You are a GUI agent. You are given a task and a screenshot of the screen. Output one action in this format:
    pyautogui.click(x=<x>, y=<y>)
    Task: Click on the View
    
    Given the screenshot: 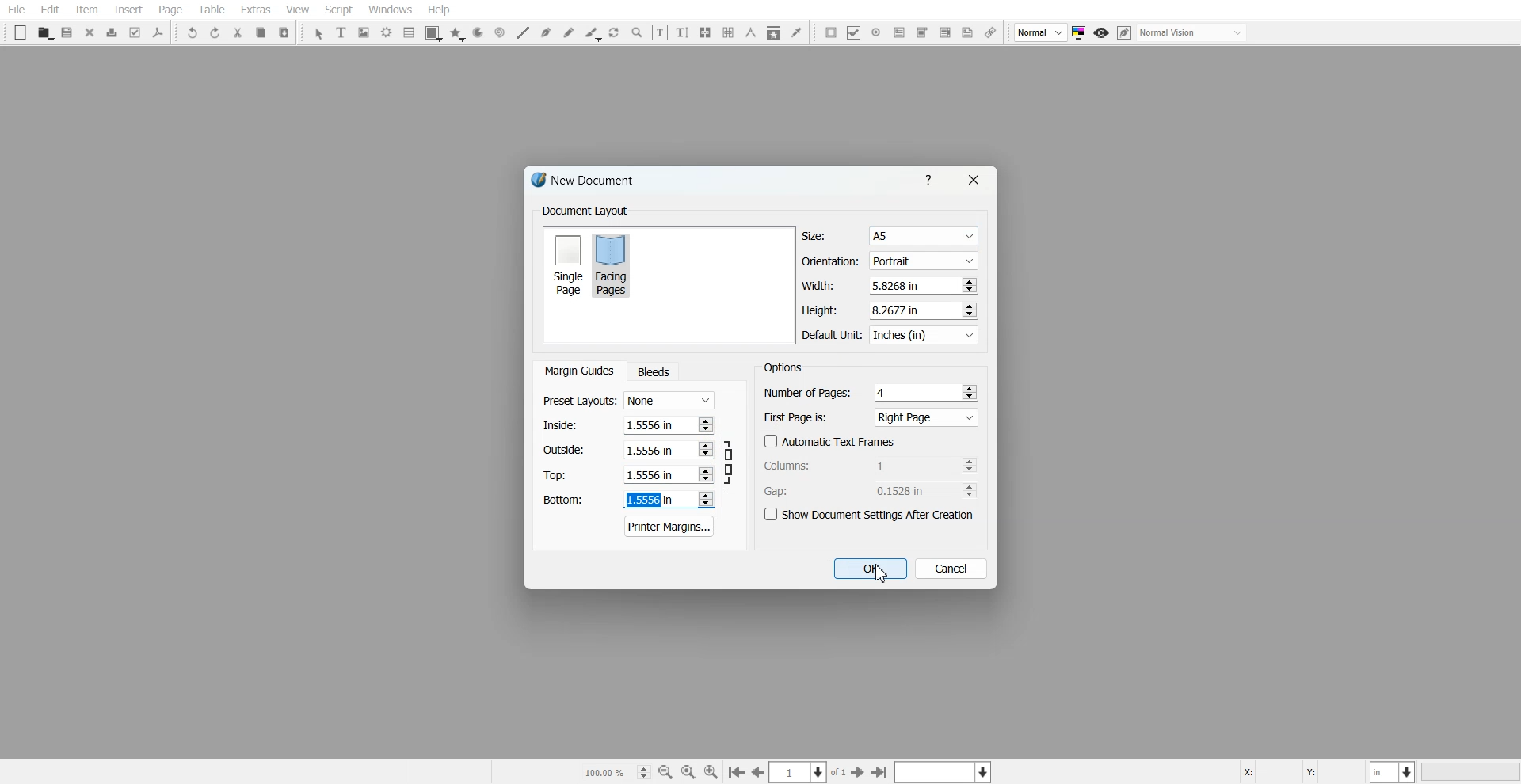 What is the action you would take?
    pyautogui.click(x=297, y=10)
    